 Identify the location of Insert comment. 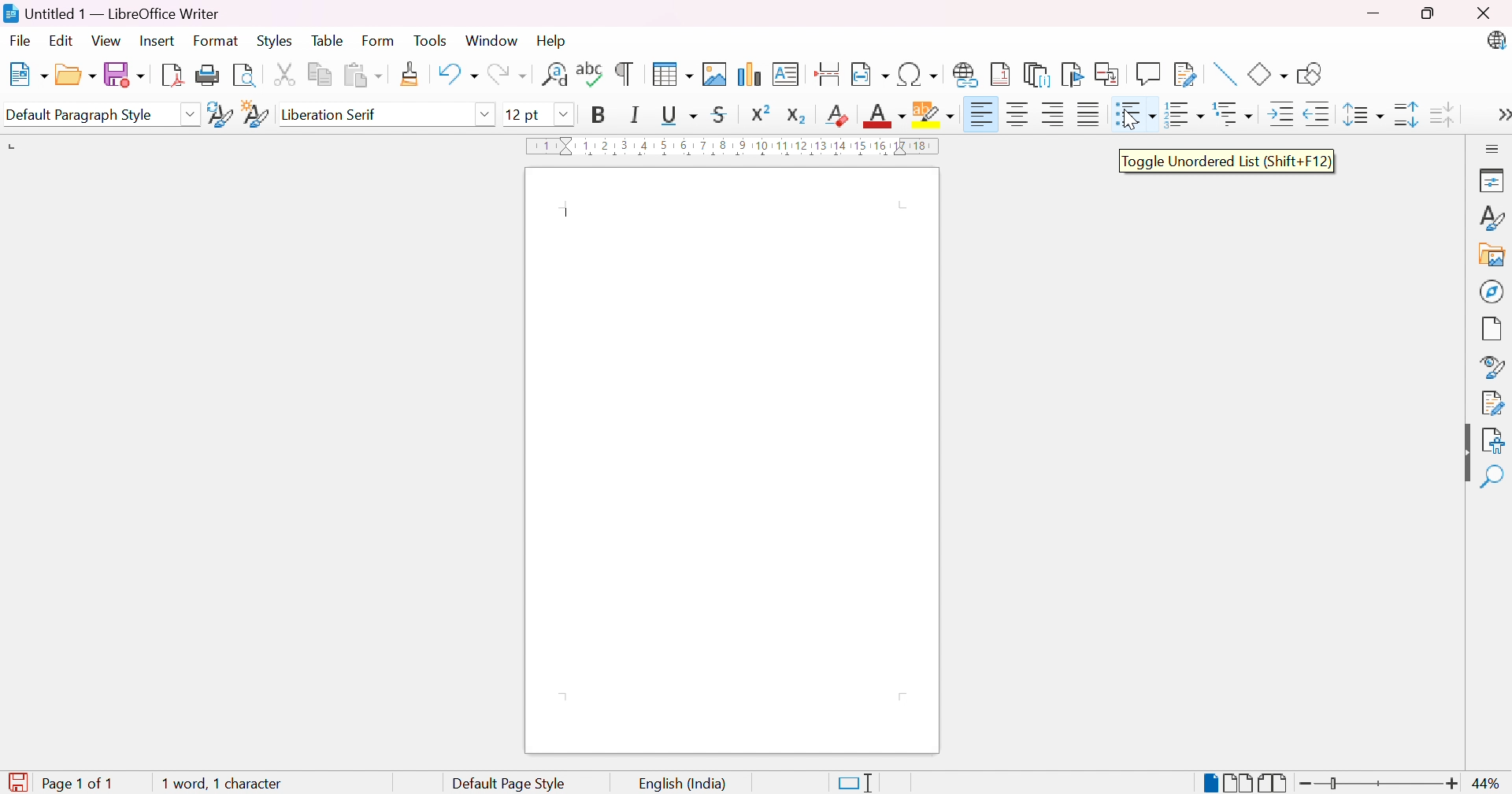
(1148, 73).